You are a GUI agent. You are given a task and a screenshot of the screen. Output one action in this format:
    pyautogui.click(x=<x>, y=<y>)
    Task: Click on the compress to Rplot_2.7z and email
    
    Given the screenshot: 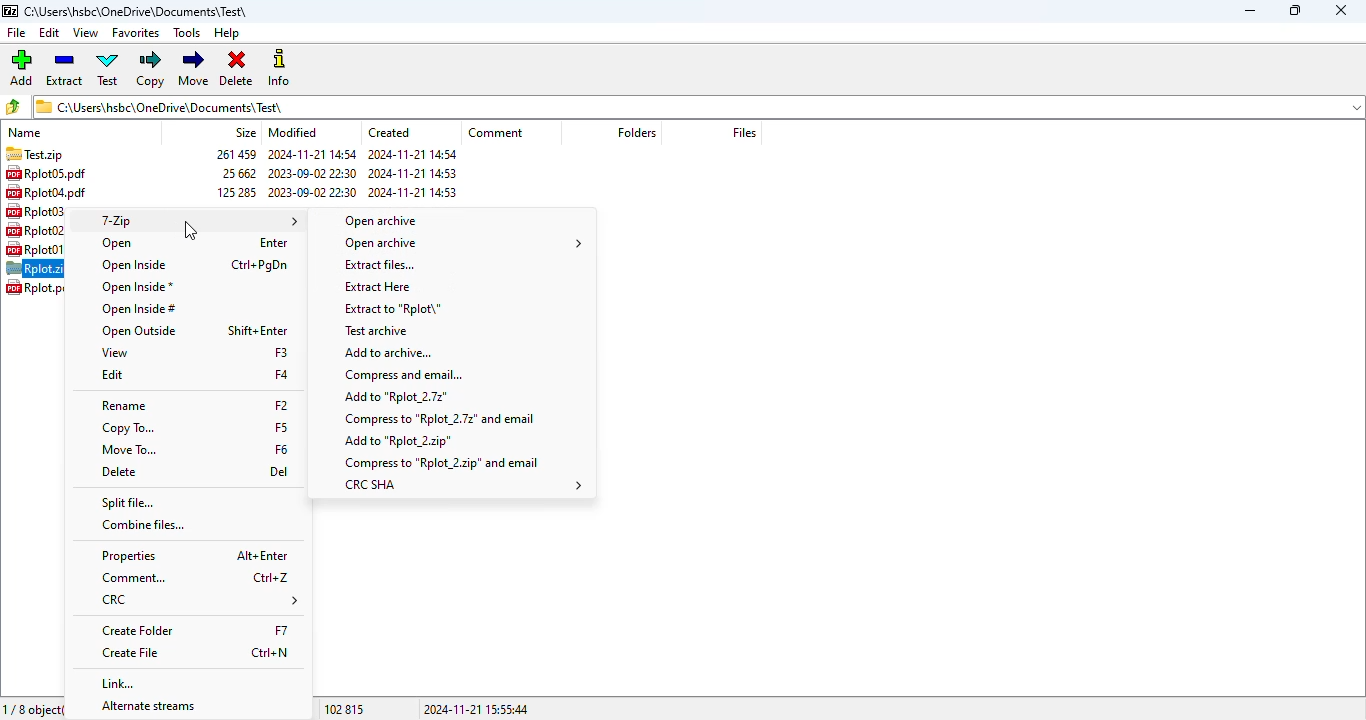 What is the action you would take?
    pyautogui.click(x=441, y=420)
    